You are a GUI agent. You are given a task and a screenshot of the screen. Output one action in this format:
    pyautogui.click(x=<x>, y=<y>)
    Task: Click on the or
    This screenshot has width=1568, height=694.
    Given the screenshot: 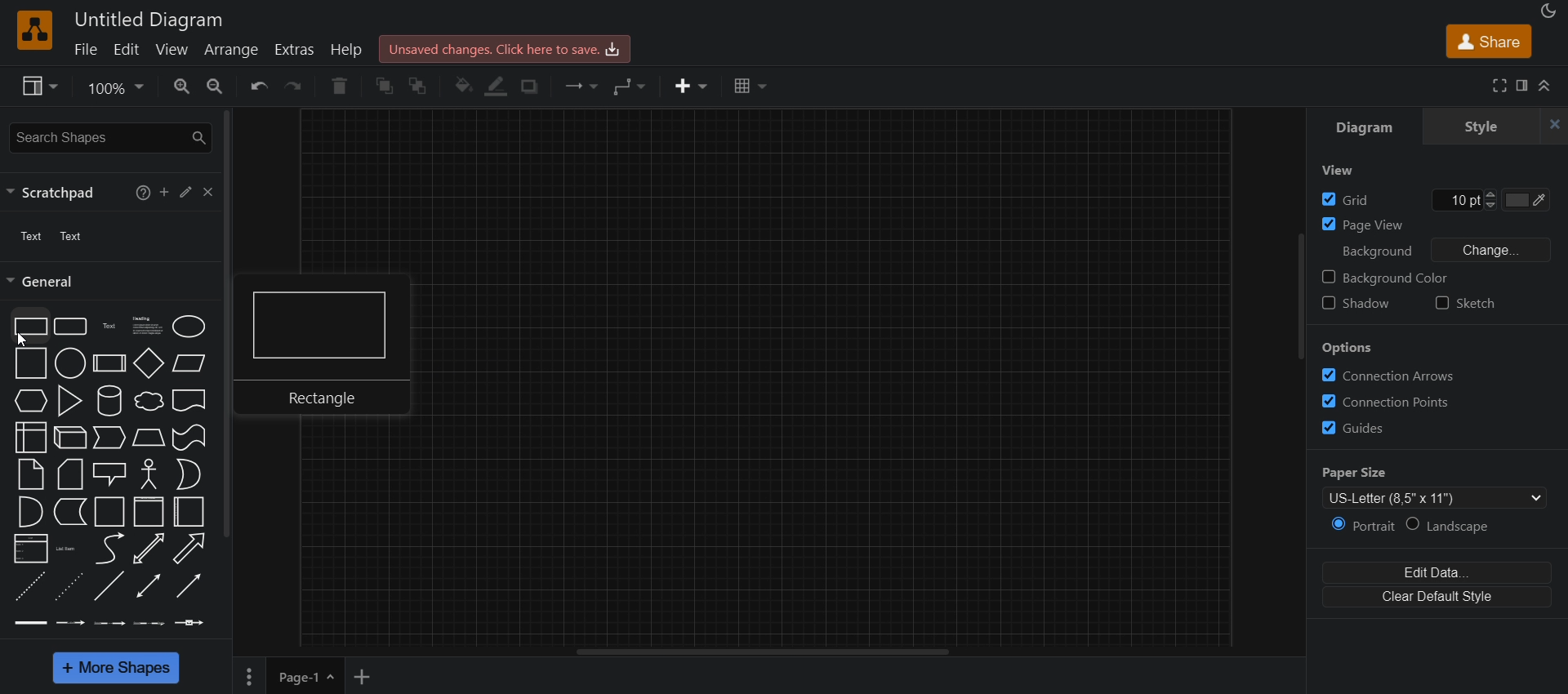 What is the action you would take?
    pyautogui.click(x=188, y=476)
    